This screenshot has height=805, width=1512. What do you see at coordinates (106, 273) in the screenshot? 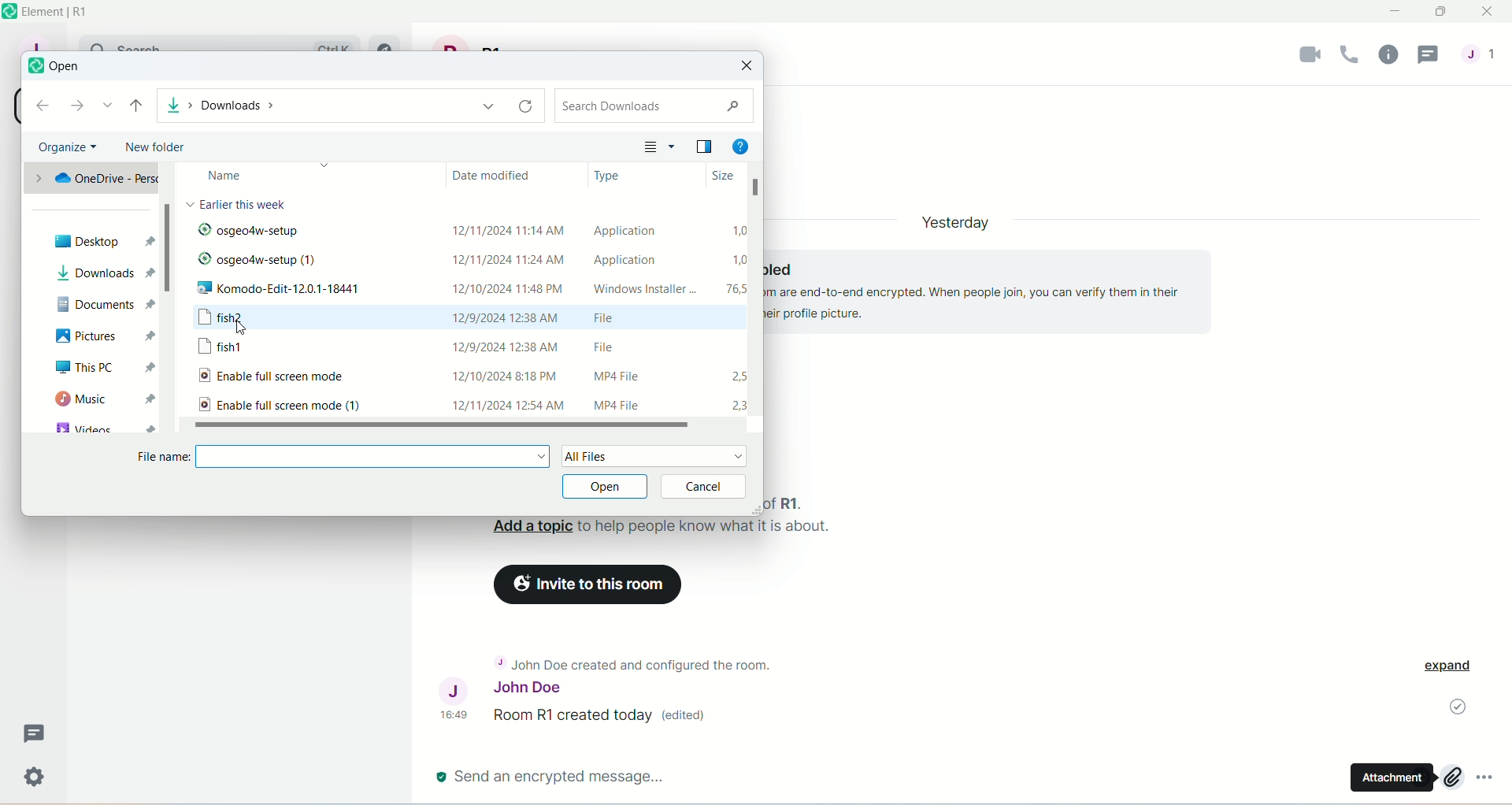
I see `downloads` at bounding box center [106, 273].